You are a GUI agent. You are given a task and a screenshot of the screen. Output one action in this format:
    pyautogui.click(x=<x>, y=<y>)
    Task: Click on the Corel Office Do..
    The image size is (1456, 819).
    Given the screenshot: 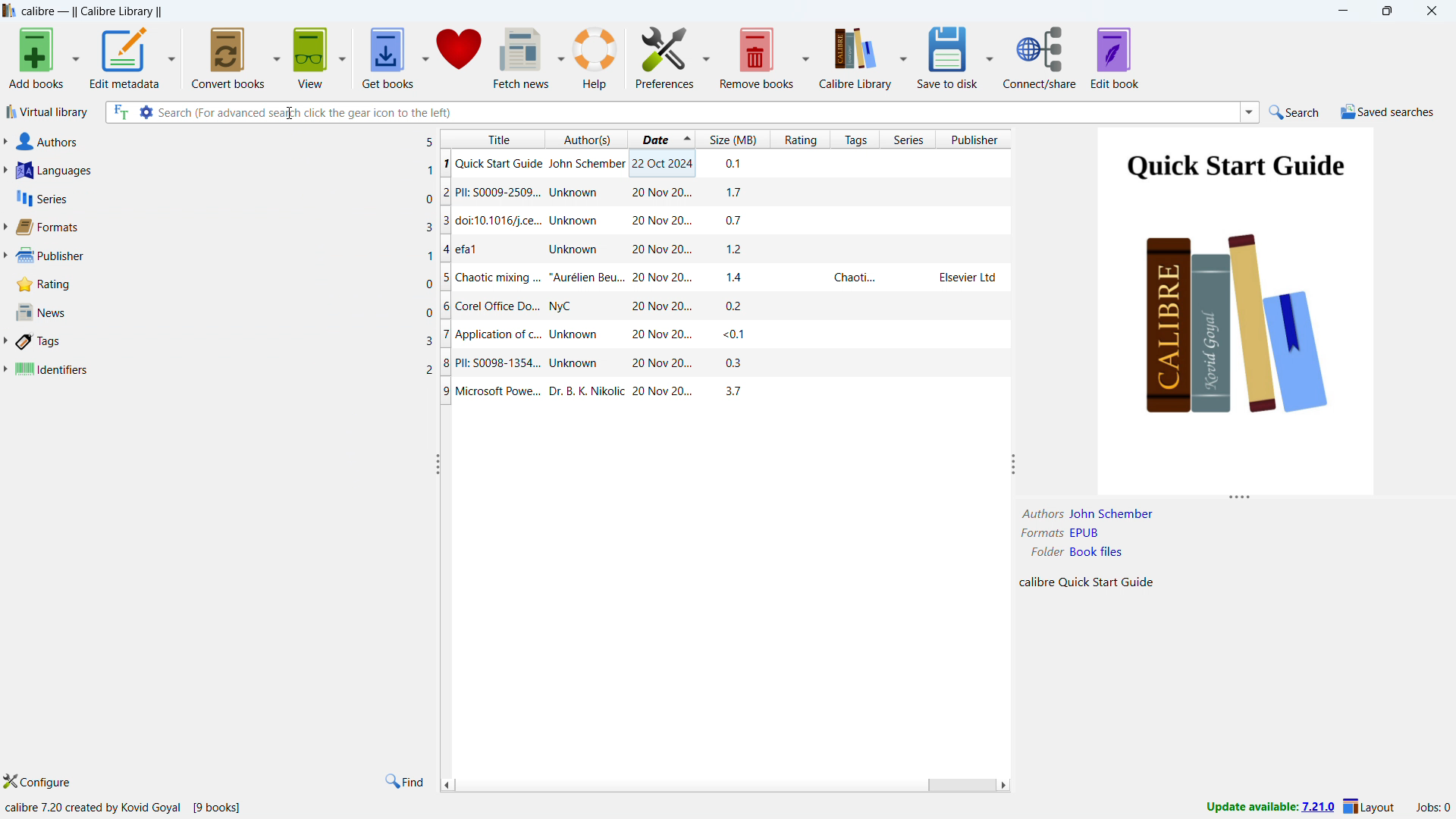 What is the action you would take?
    pyautogui.click(x=726, y=306)
    